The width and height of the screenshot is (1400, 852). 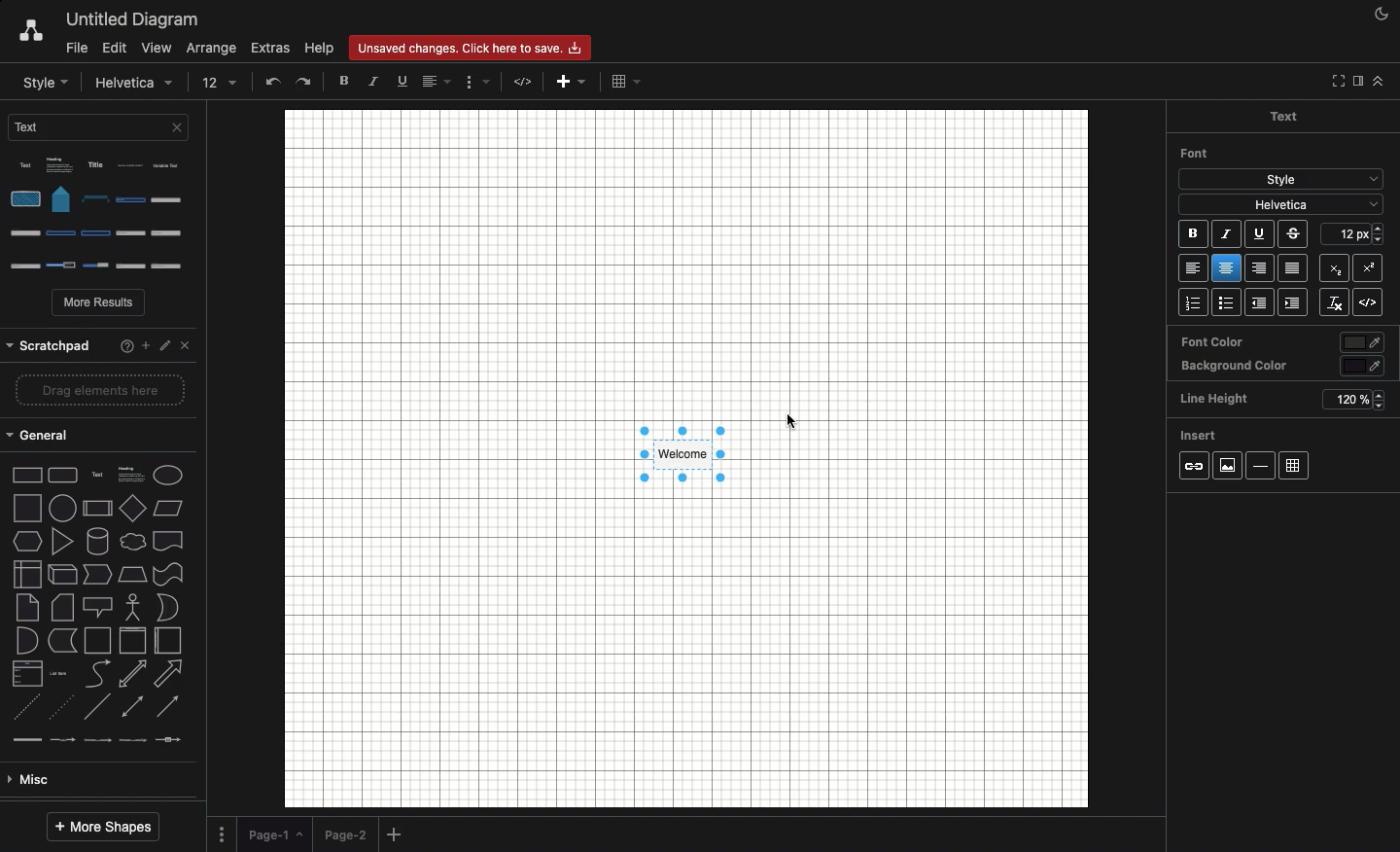 What do you see at coordinates (117, 81) in the screenshot?
I see `Zoom` at bounding box center [117, 81].